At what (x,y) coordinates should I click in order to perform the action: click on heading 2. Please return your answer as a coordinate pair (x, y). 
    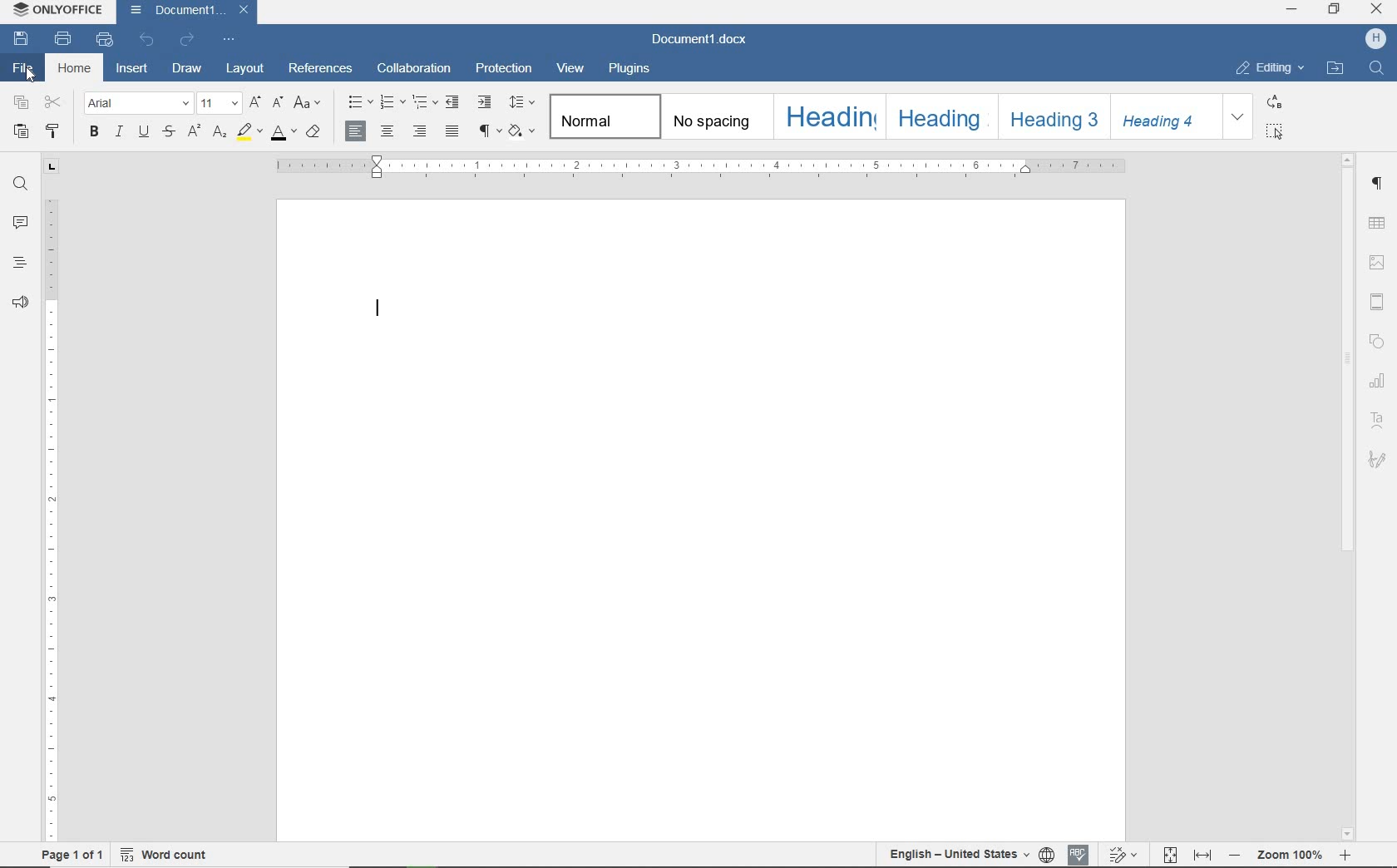
    Looking at the image, I should click on (940, 115).